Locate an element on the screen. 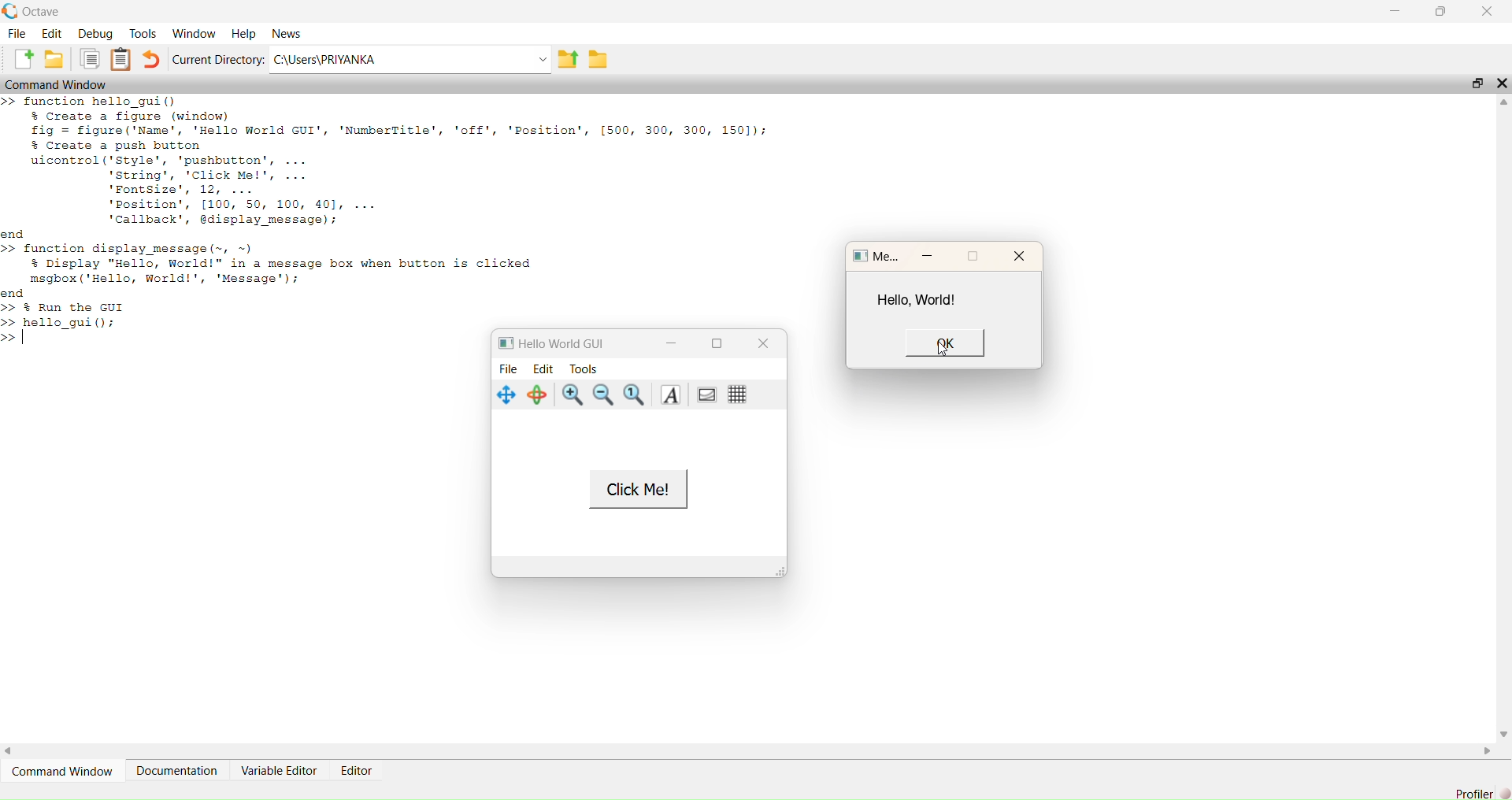 The height and width of the screenshot is (800, 1512). Variable Editor is located at coordinates (280, 771).